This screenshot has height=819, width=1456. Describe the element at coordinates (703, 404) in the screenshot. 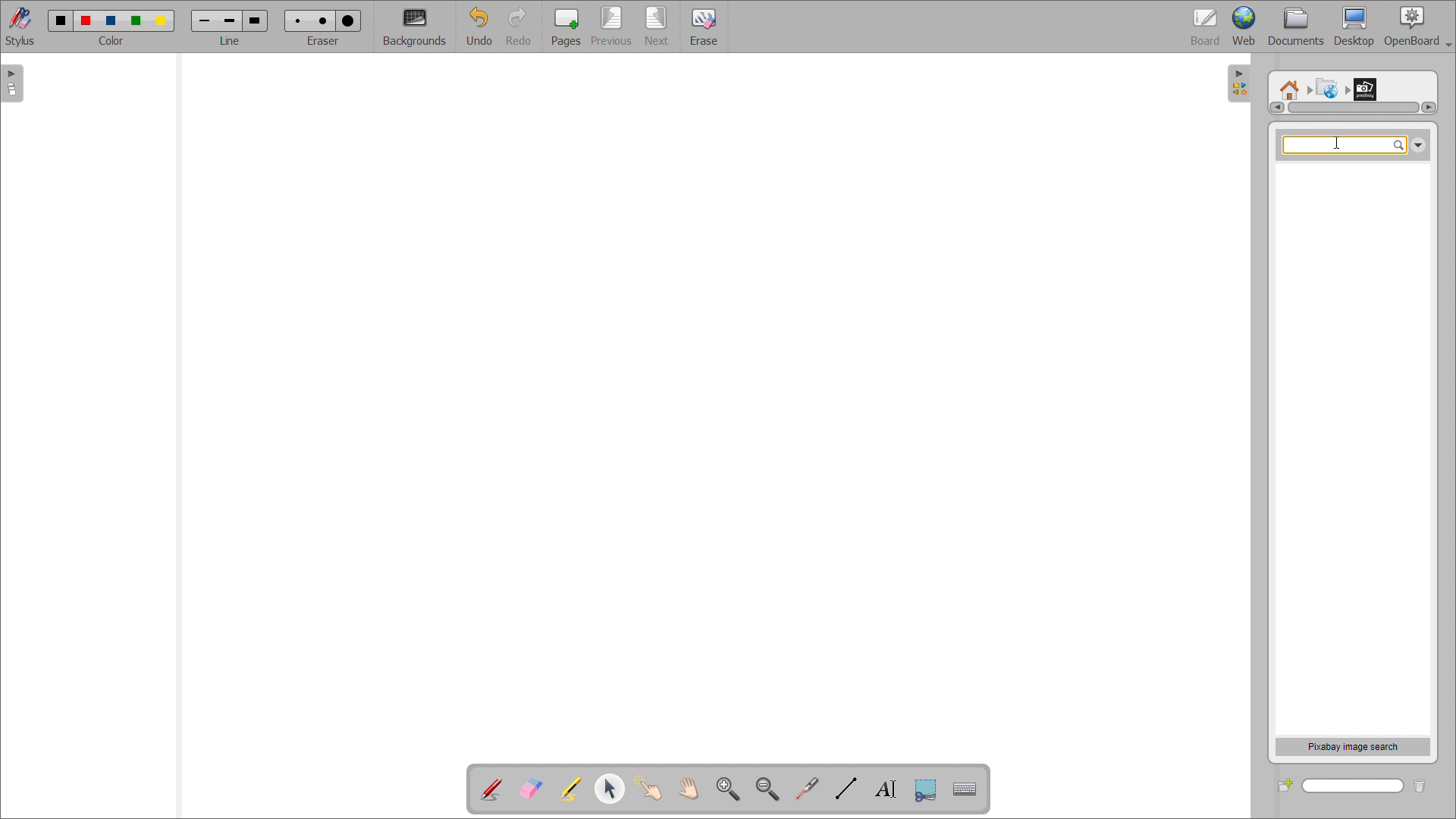

I see `board space` at that location.